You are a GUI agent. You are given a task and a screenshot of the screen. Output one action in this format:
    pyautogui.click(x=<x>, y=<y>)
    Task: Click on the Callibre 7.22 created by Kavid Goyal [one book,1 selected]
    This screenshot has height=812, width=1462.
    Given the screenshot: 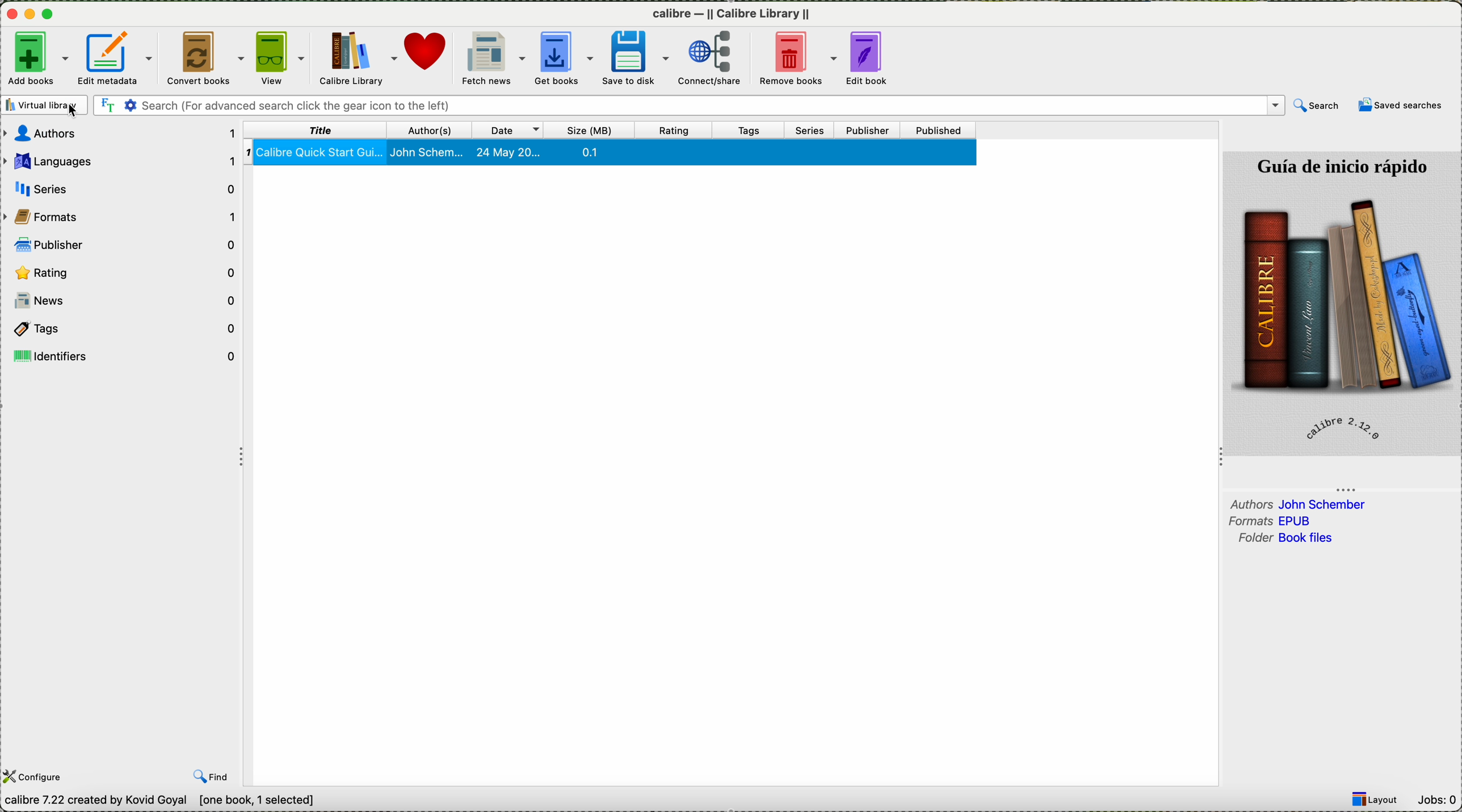 What is the action you would take?
    pyautogui.click(x=160, y=801)
    